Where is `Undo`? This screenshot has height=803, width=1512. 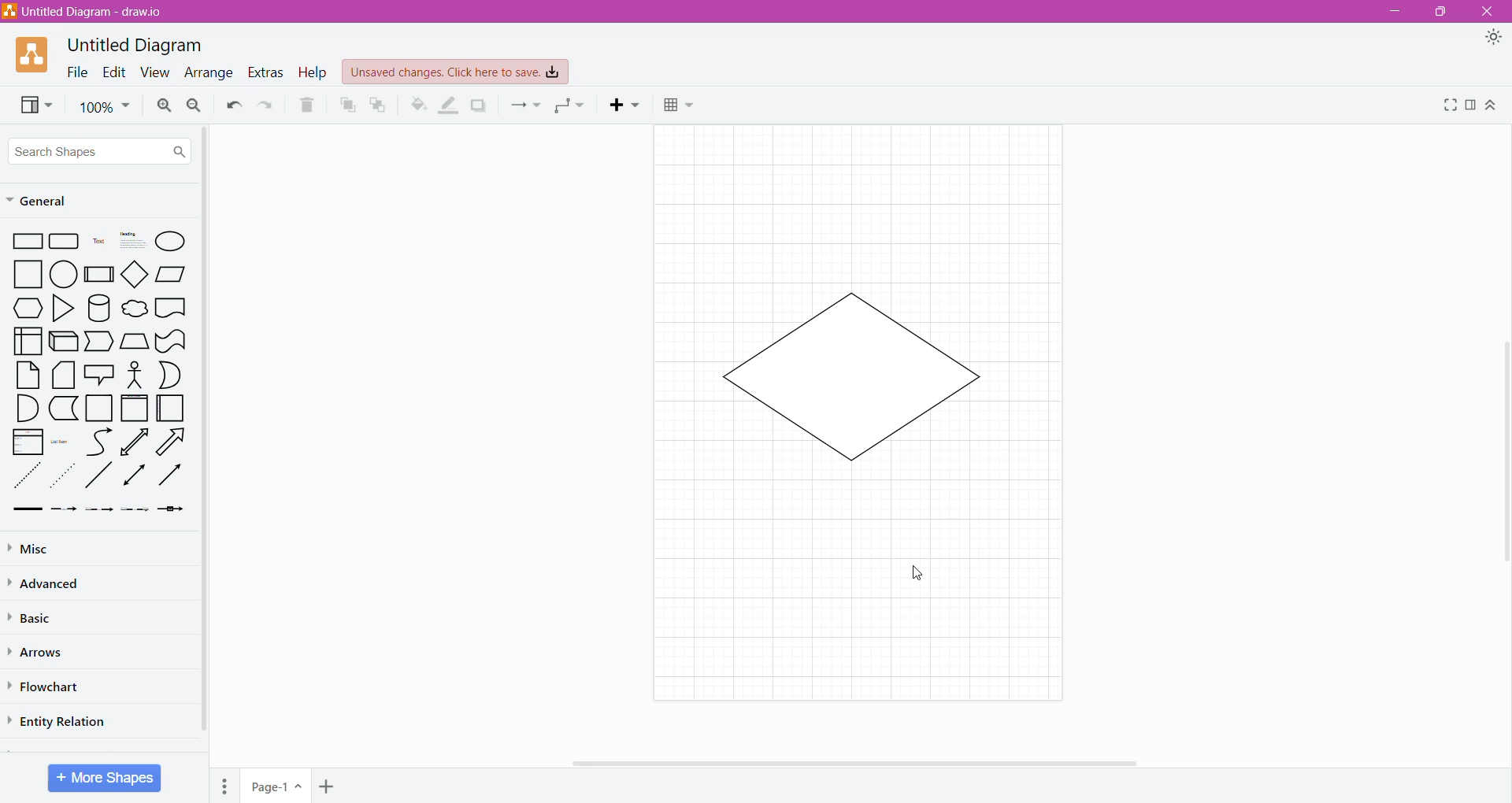
Undo is located at coordinates (234, 105).